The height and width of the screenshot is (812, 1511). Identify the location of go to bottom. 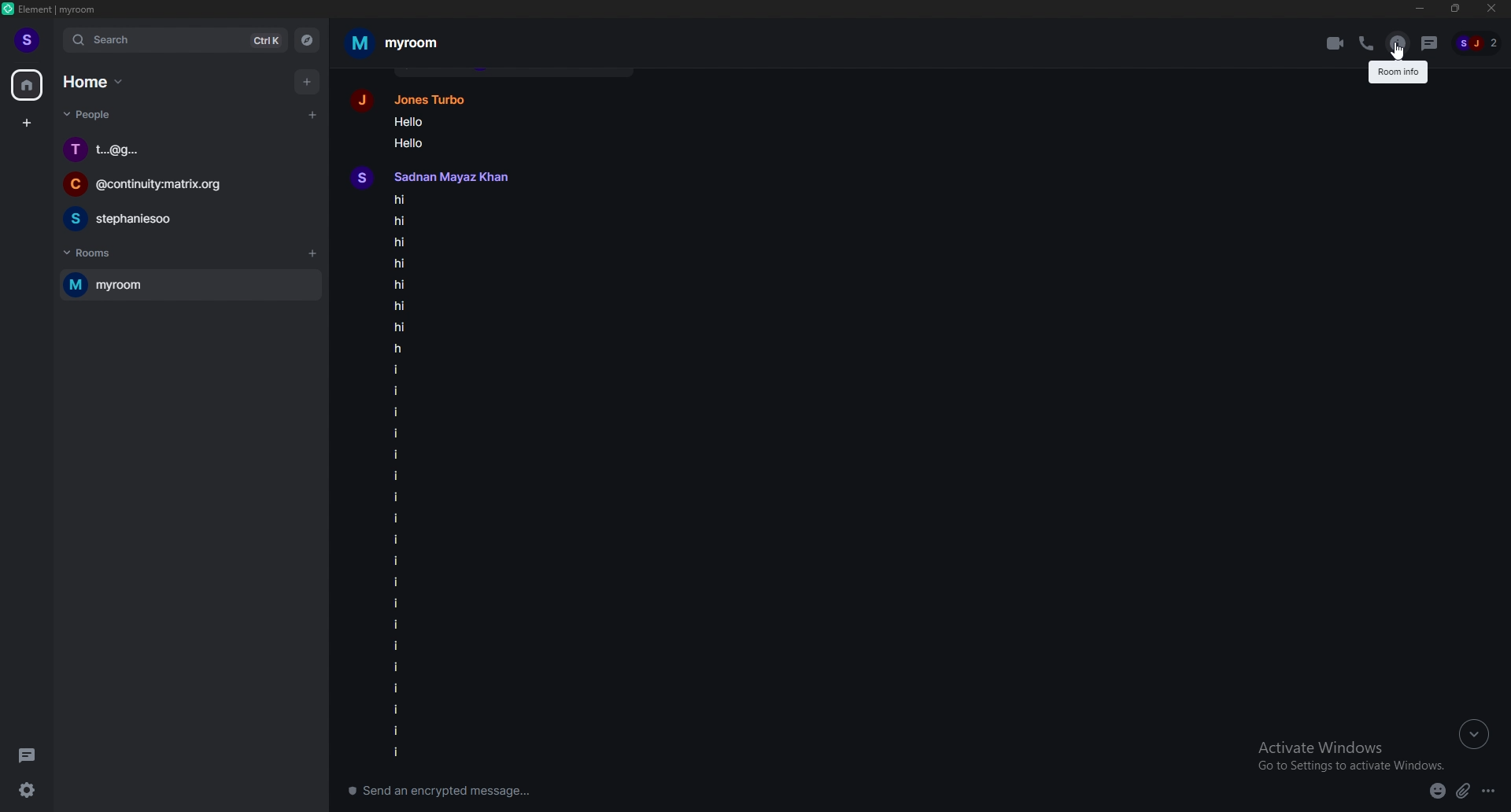
(1474, 733).